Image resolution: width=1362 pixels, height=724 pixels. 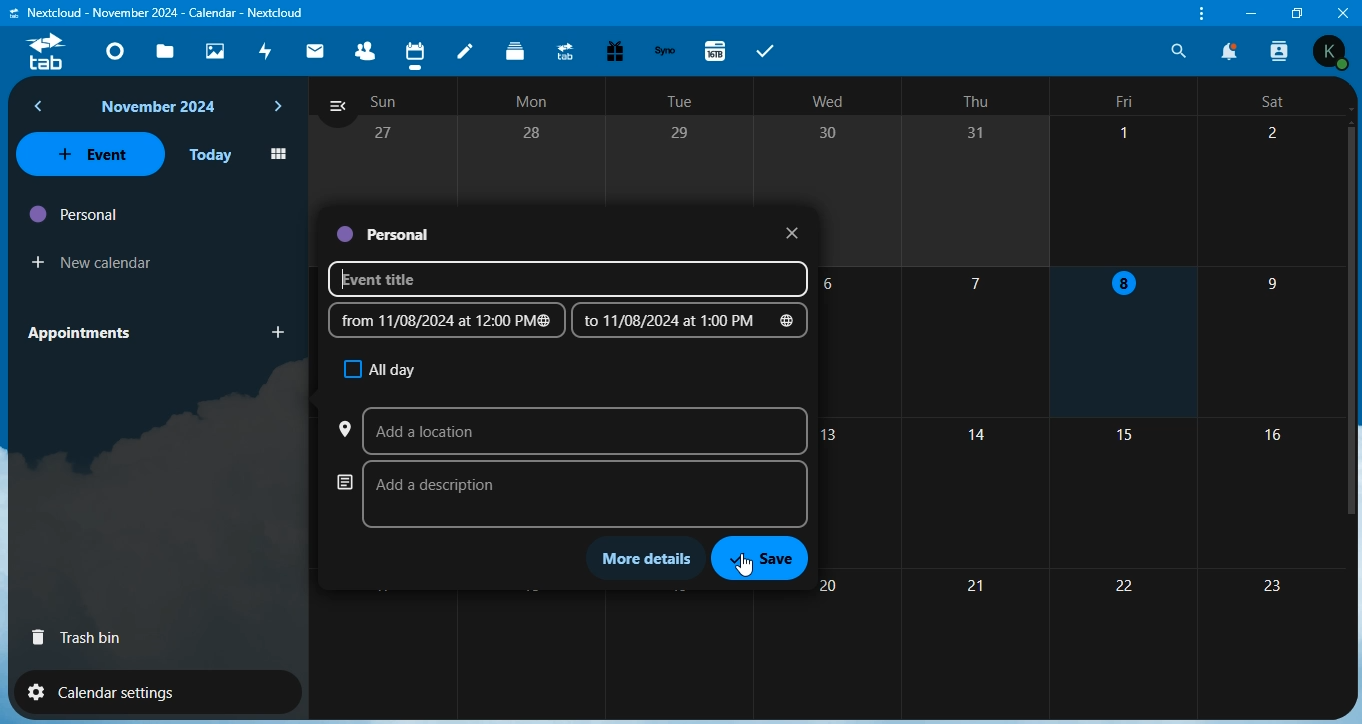 I want to click on date, so click(x=789, y=232).